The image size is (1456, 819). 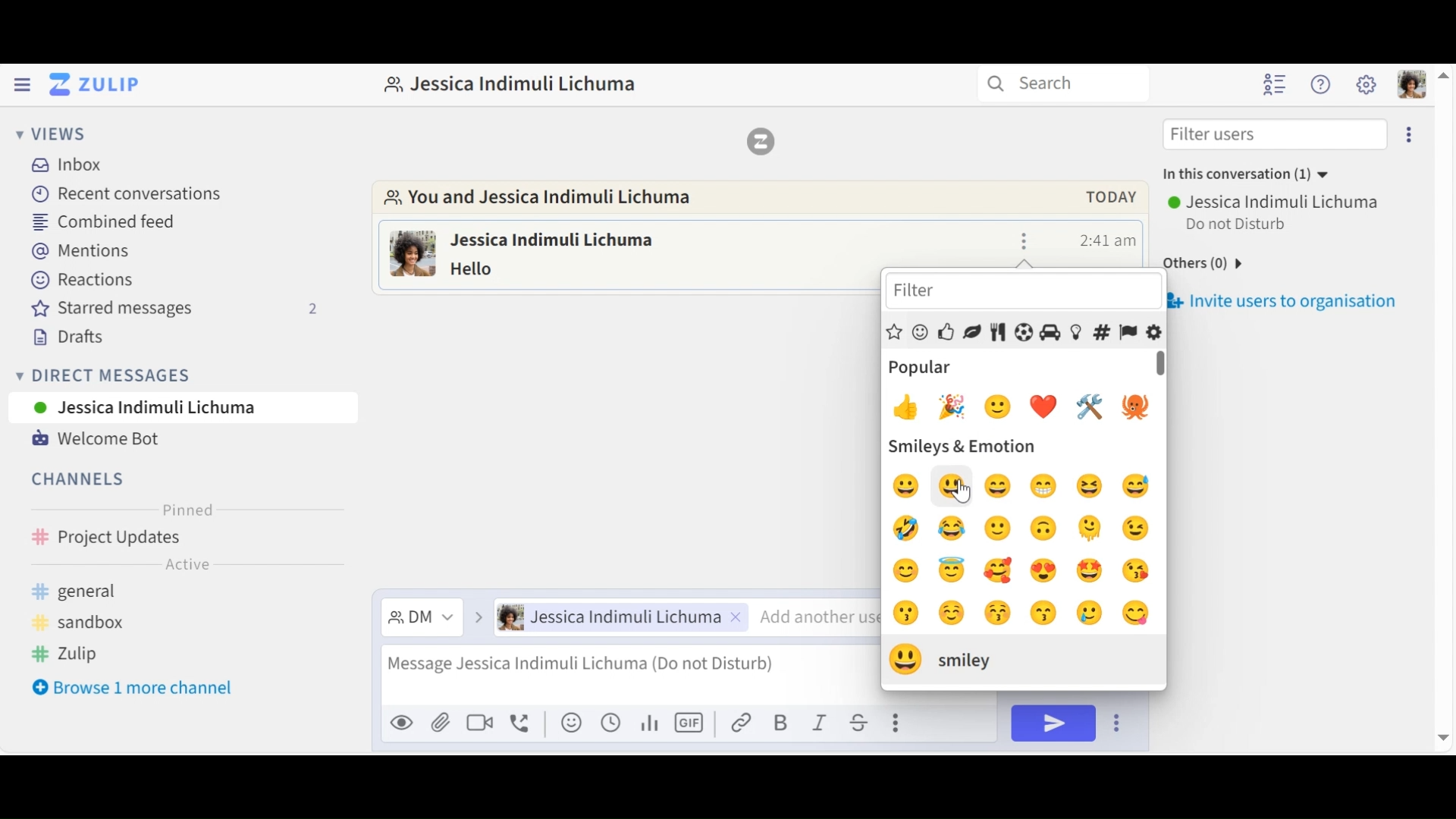 I want to click on message, so click(x=494, y=268).